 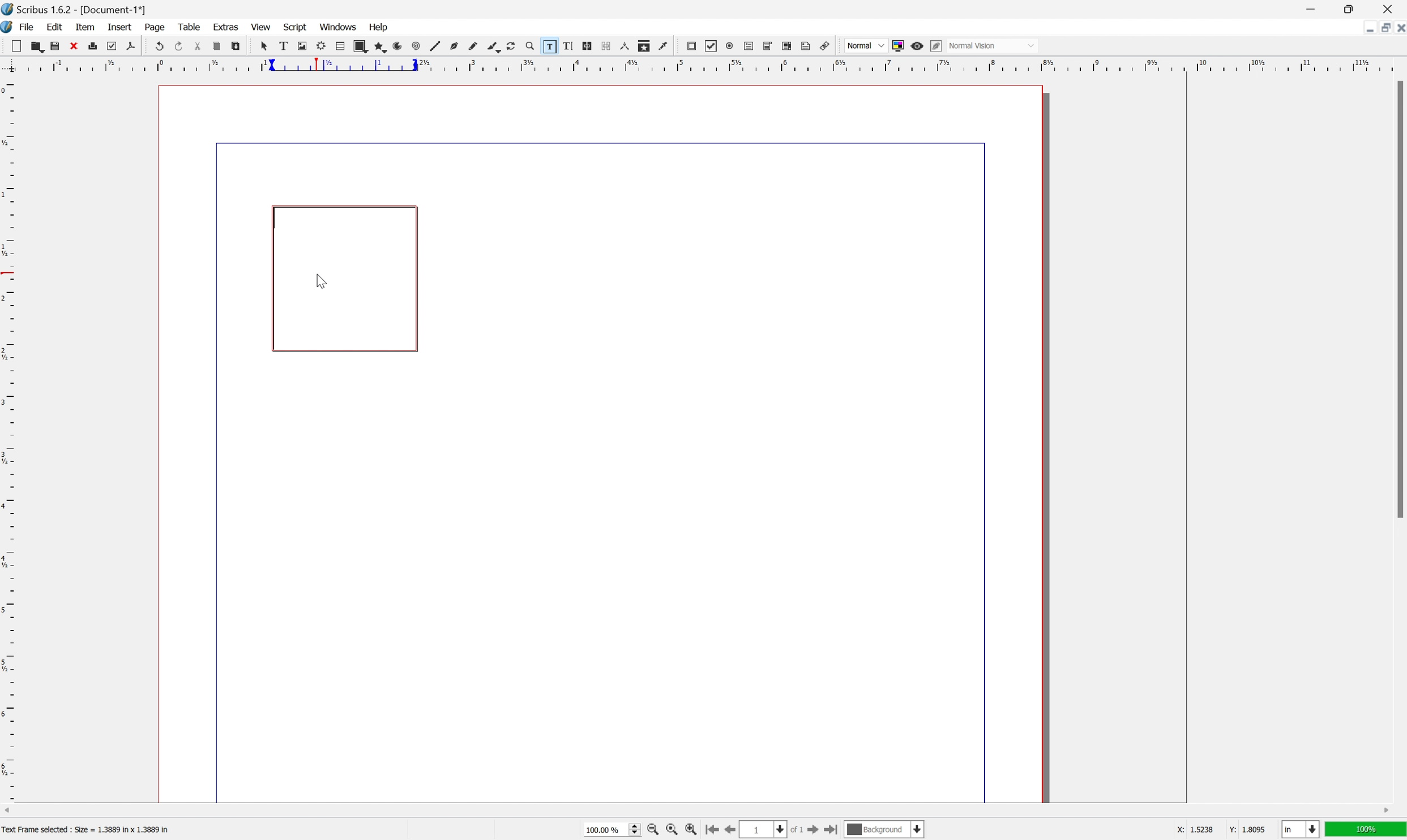 What do you see at coordinates (625, 46) in the screenshot?
I see `measurements` at bounding box center [625, 46].